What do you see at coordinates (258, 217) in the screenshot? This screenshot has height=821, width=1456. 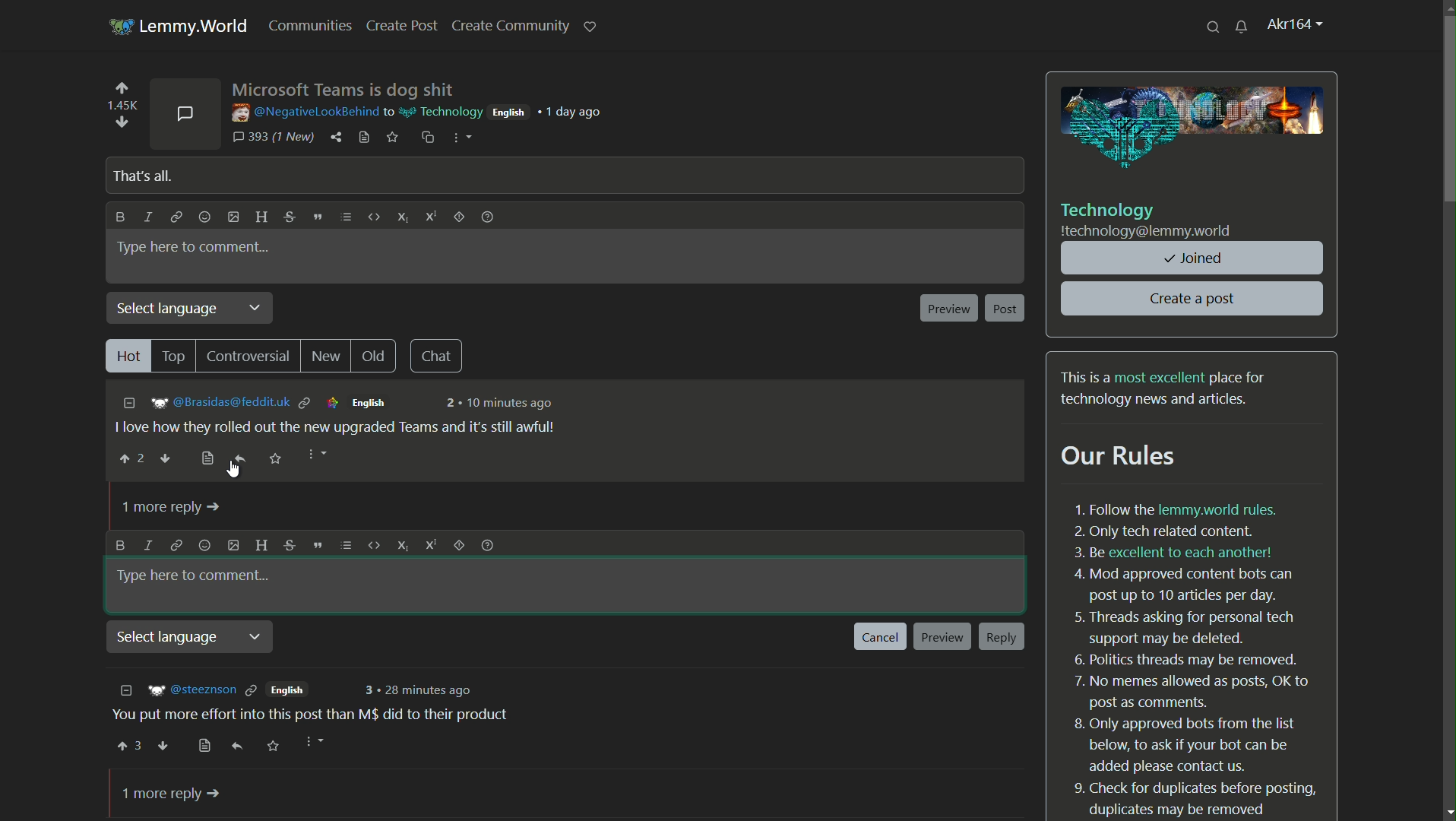 I see `header` at bounding box center [258, 217].